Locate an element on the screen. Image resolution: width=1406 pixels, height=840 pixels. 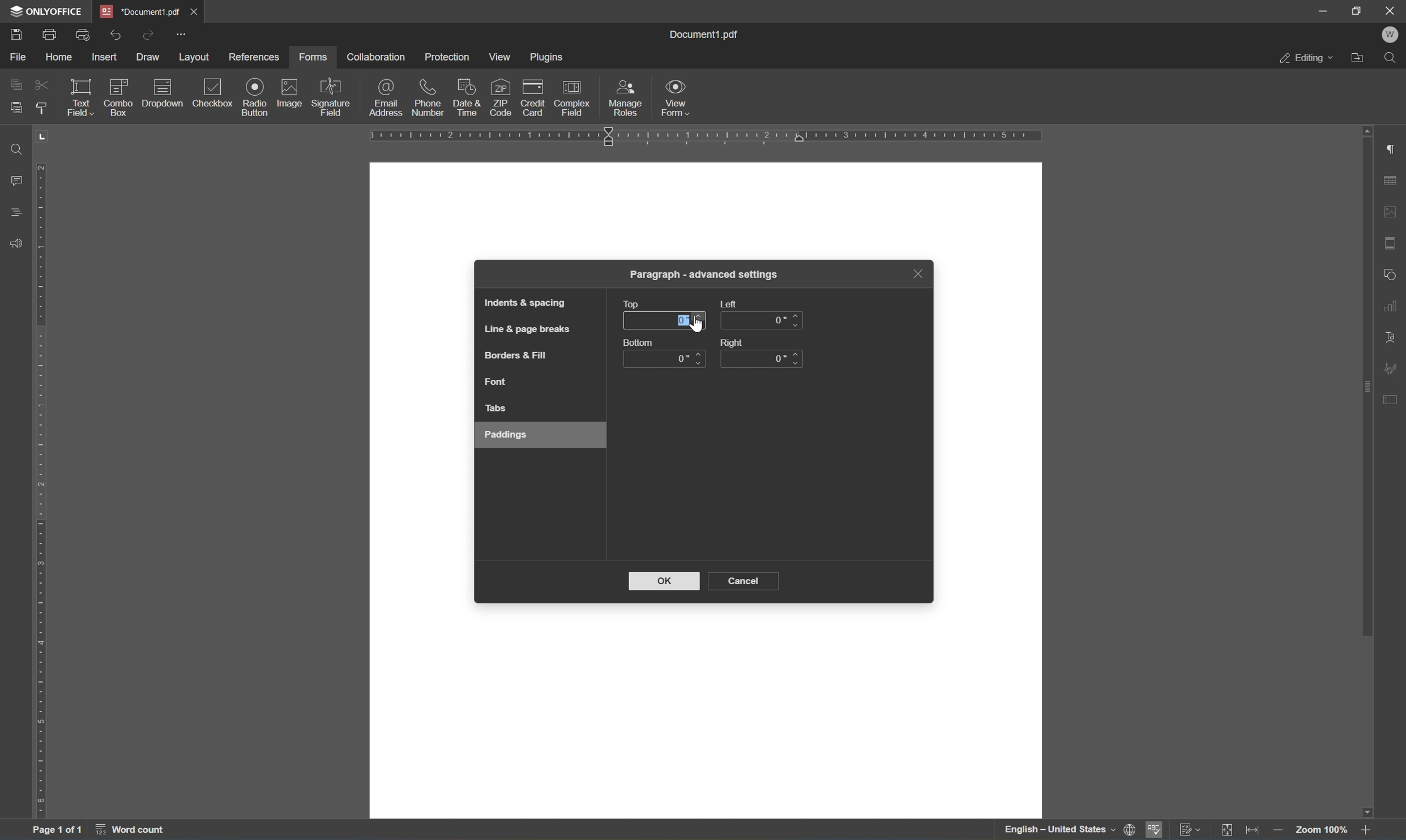
close is located at coordinates (917, 274).